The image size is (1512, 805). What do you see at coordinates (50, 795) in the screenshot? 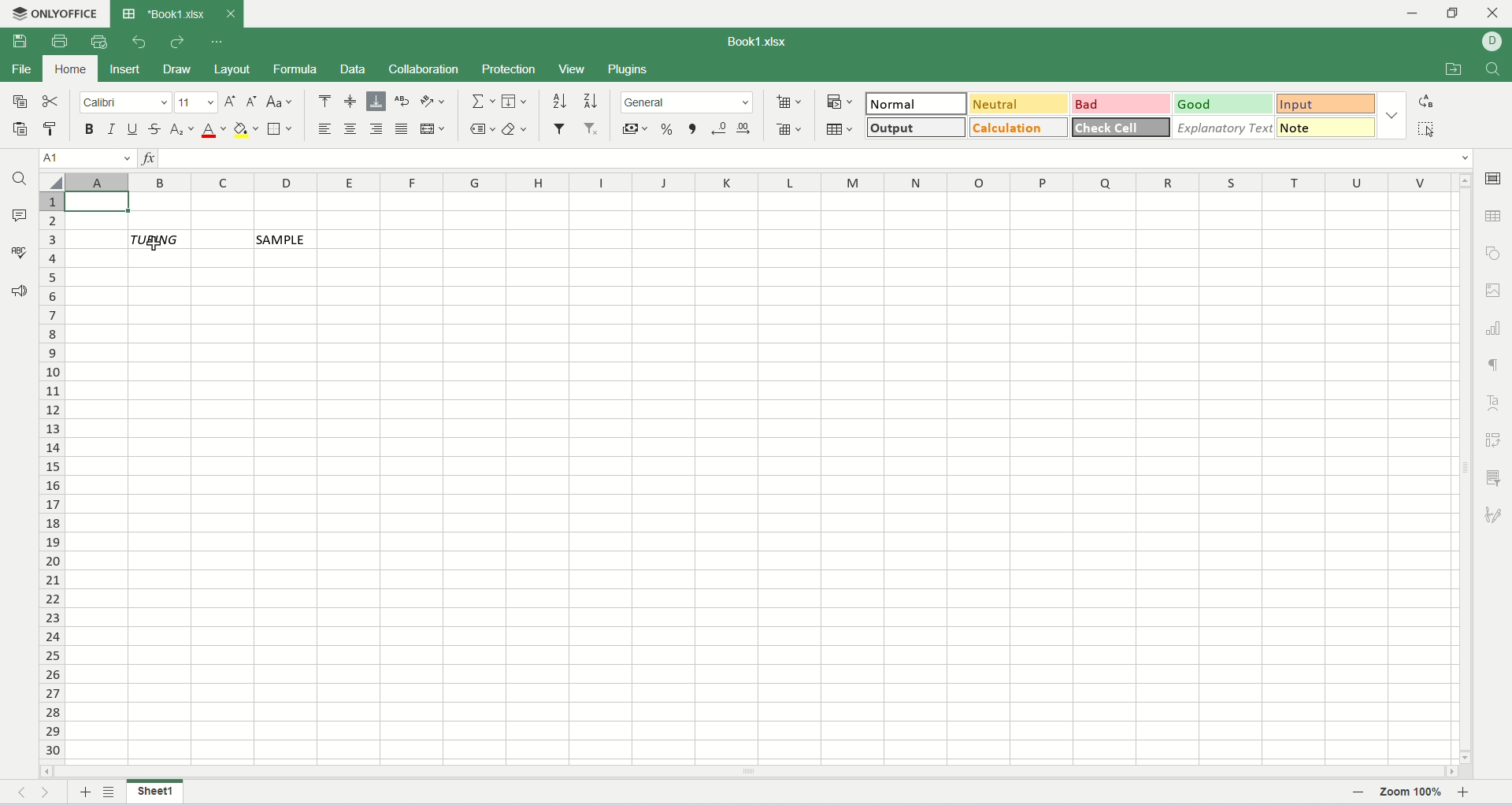
I see `next` at bounding box center [50, 795].